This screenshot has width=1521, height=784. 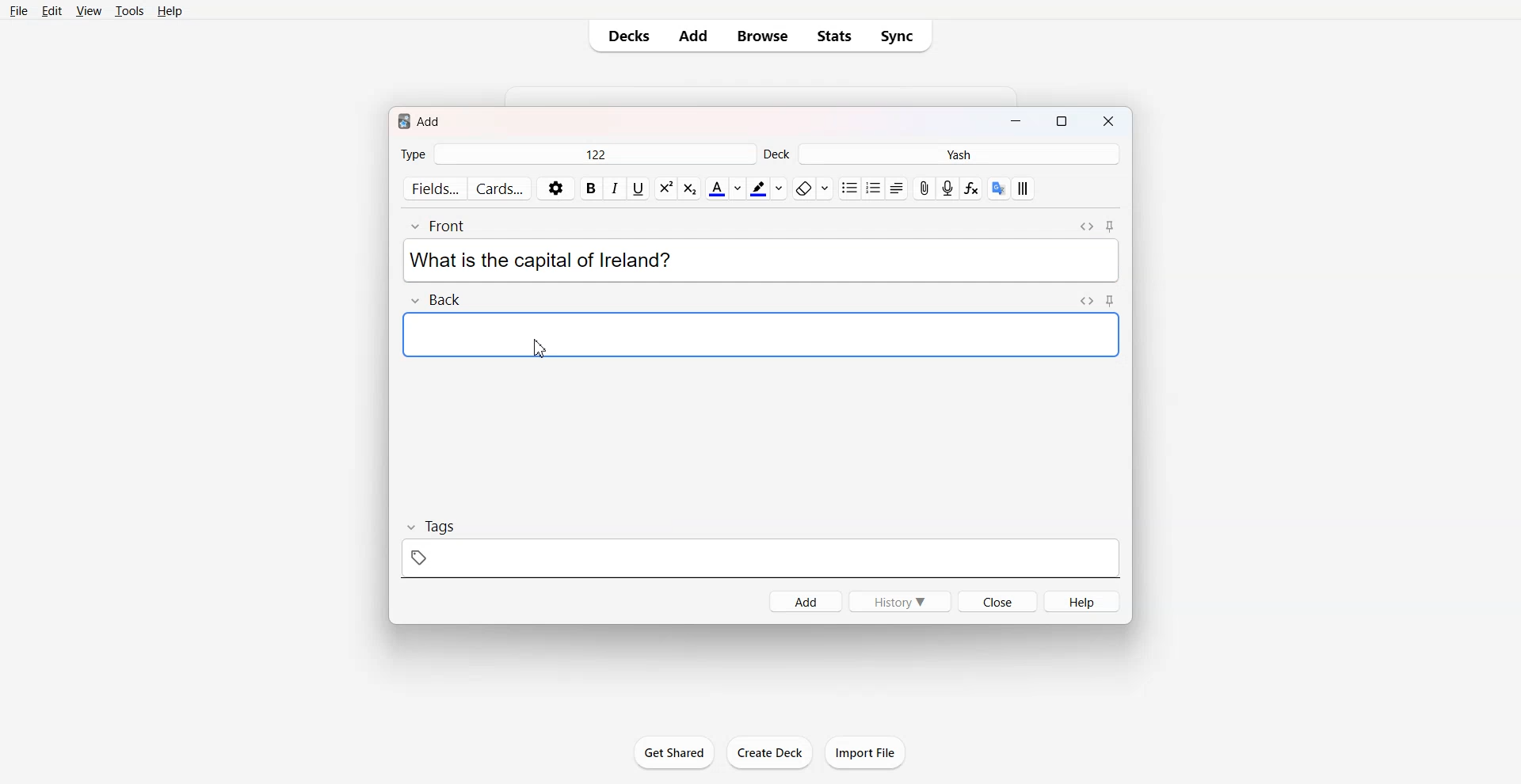 I want to click on Text, so click(x=540, y=261).